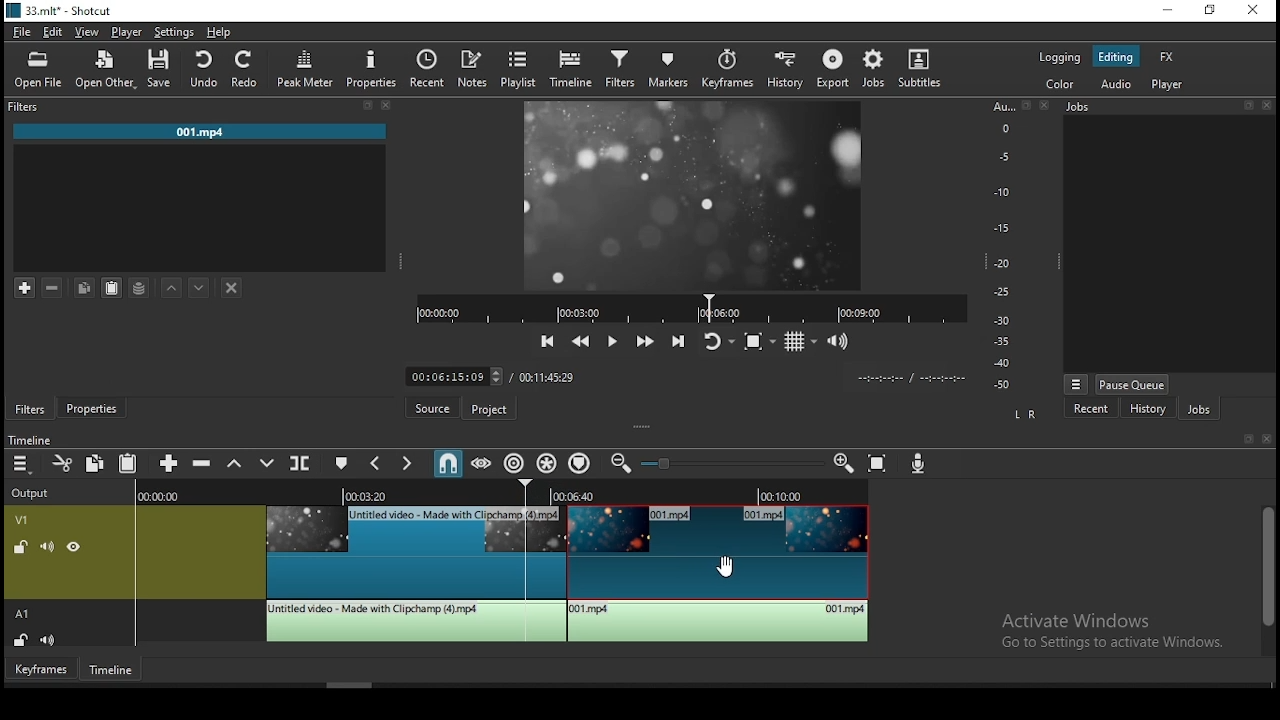 Image resolution: width=1280 pixels, height=720 pixels. I want to click on fx, so click(1167, 58).